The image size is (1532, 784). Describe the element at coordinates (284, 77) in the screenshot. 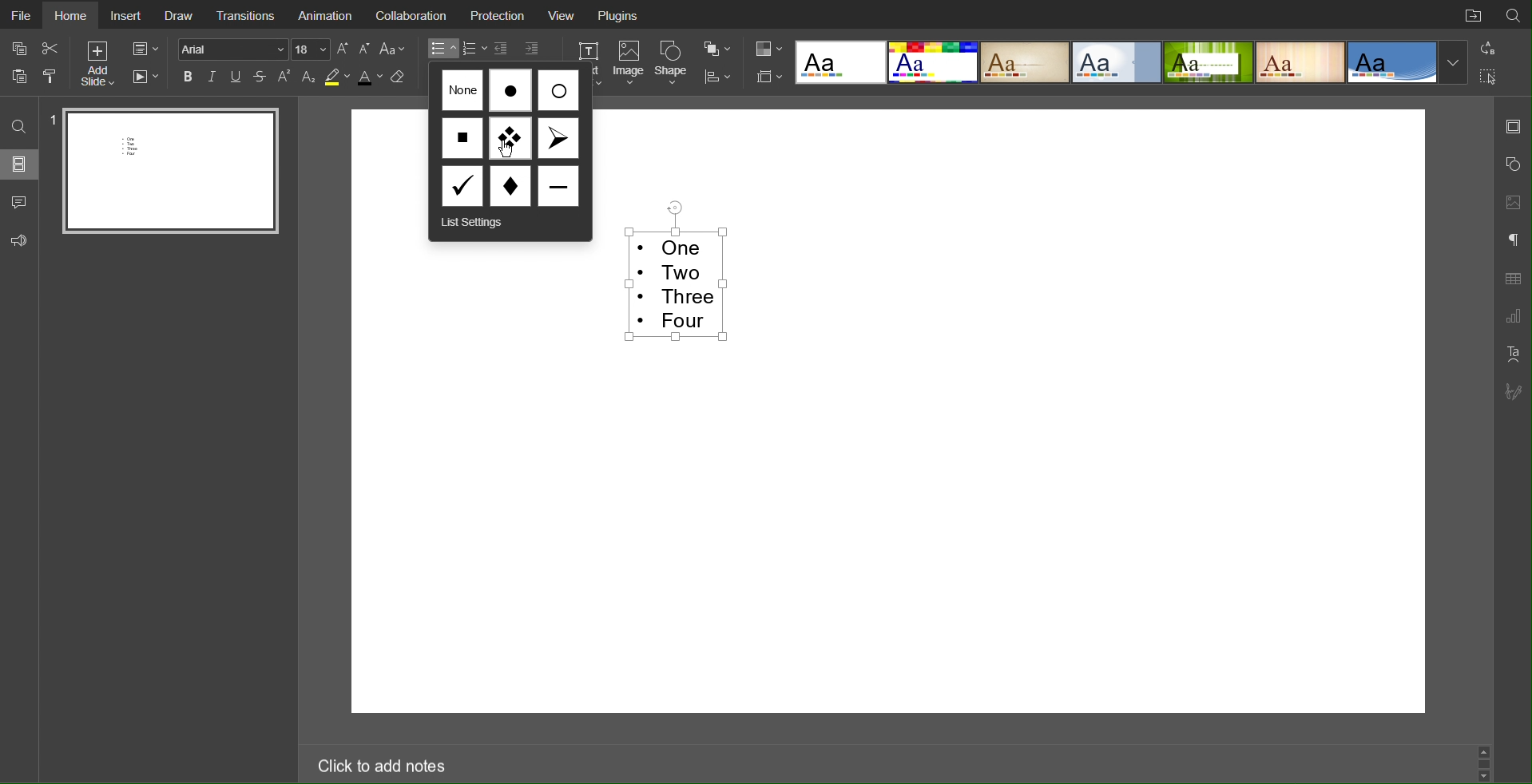

I see `Superscript` at that location.